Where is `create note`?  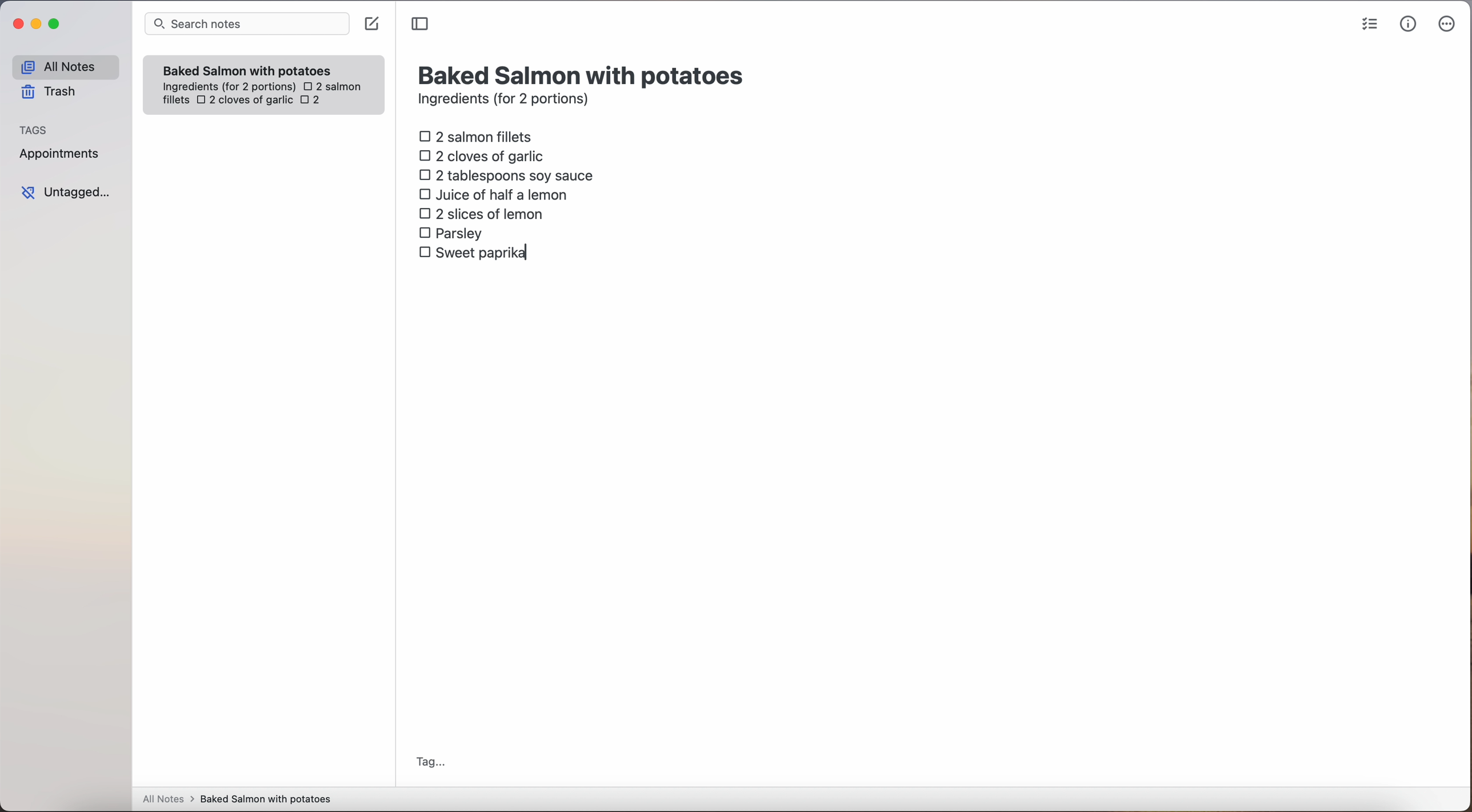
create note is located at coordinates (371, 24).